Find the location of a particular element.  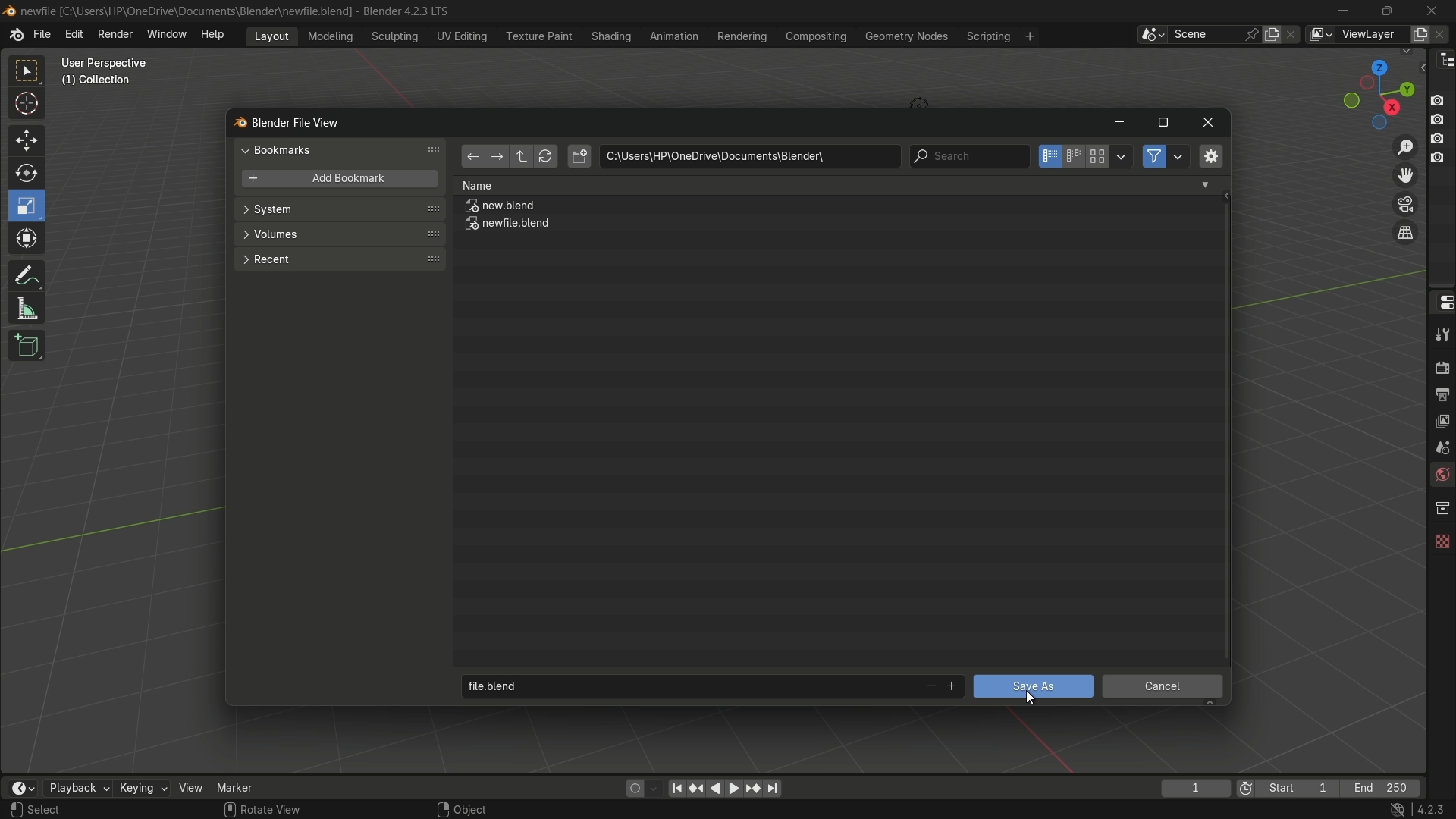

cursor is located at coordinates (27, 106).